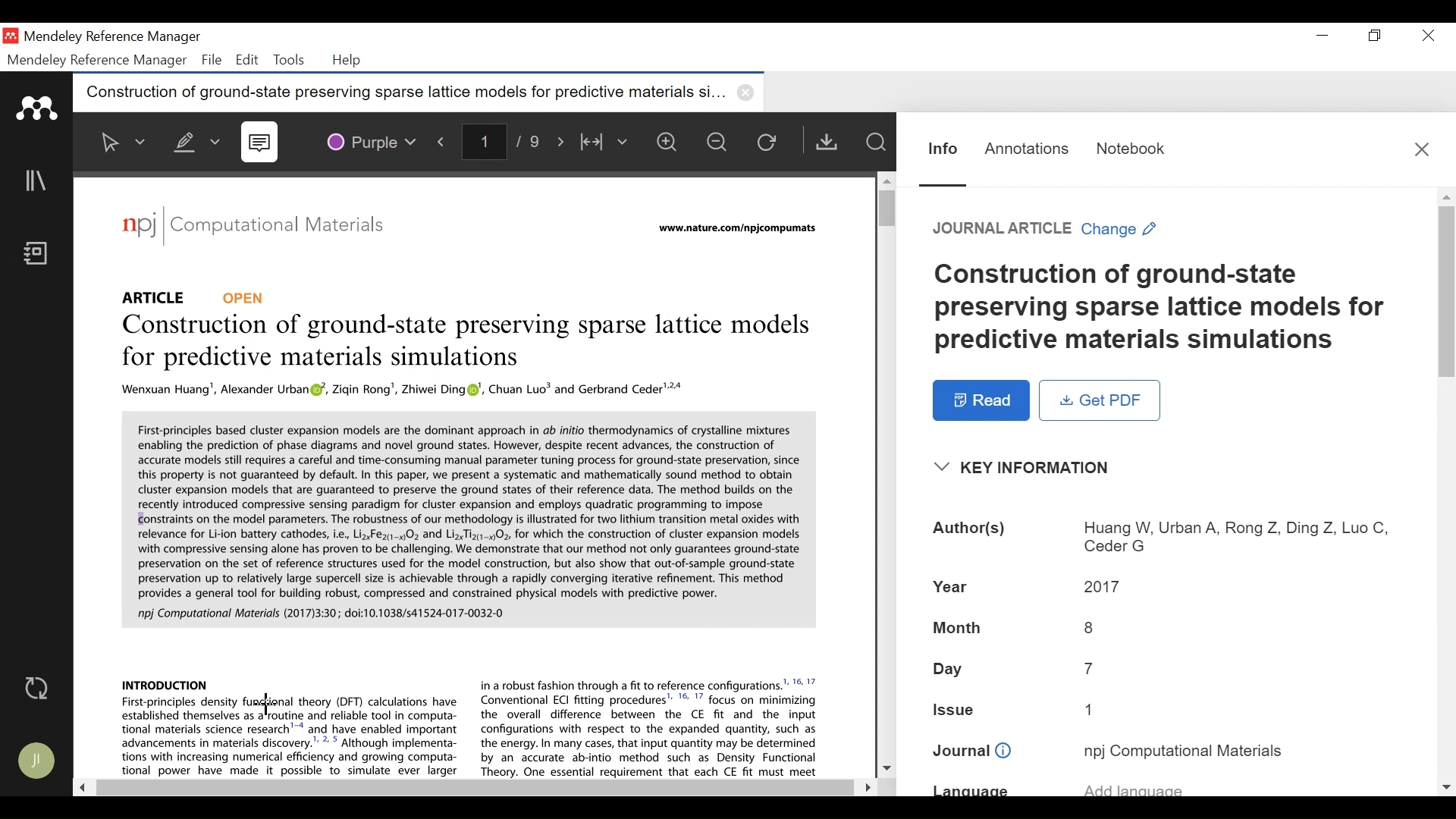 This screenshot has height=819, width=1456. What do you see at coordinates (462, 343) in the screenshot?
I see `Title: Construction of ground-state preserving sparse lattice models for predictive materials simulations` at bounding box center [462, 343].